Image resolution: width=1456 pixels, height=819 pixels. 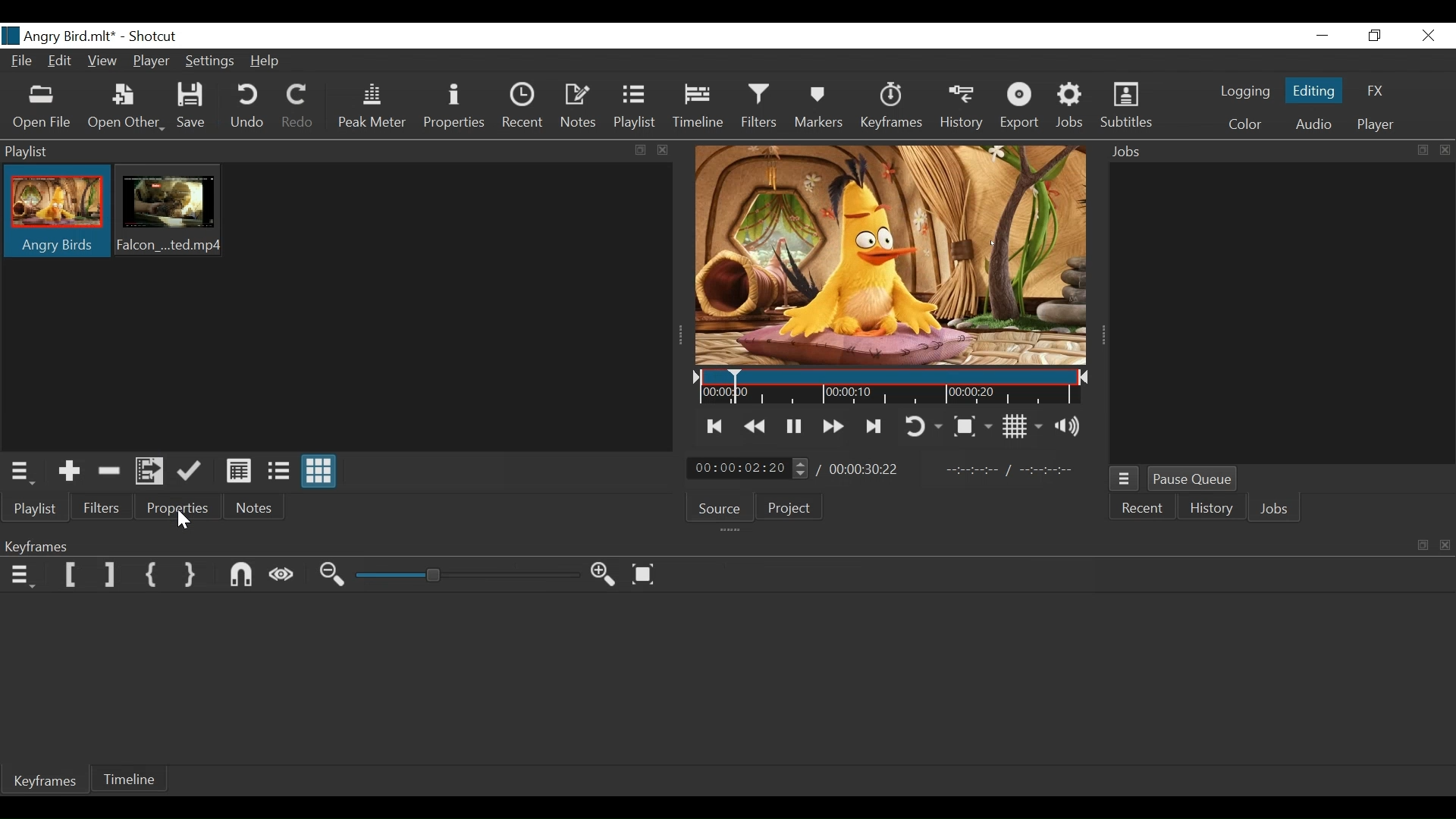 What do you see at coordinates (1125, 481) in the screenshot?
I see `Jobs Menu` at bounding box center [1125, 481].